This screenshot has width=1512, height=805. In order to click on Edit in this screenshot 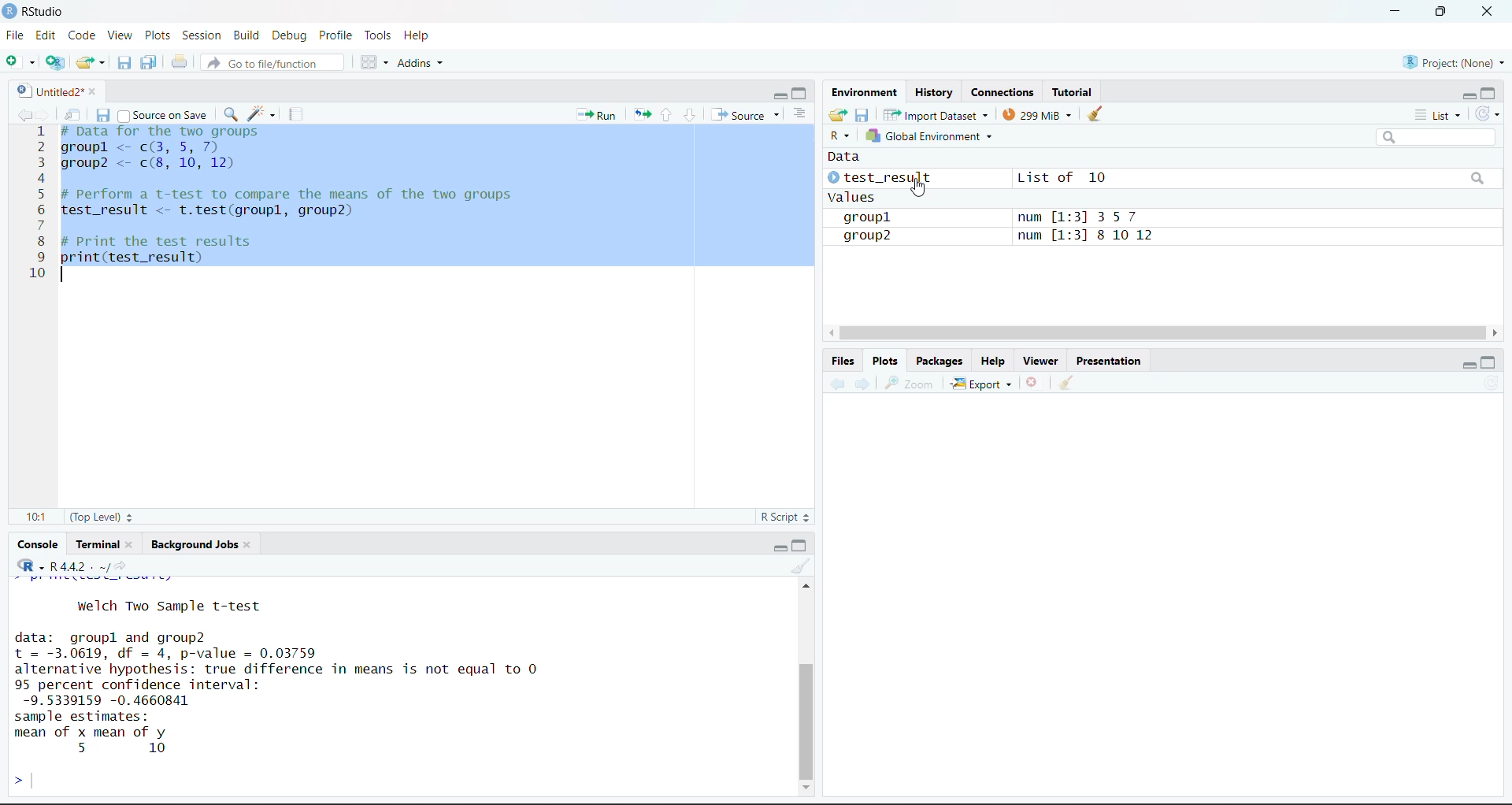, I will do `click(46, 35)`.